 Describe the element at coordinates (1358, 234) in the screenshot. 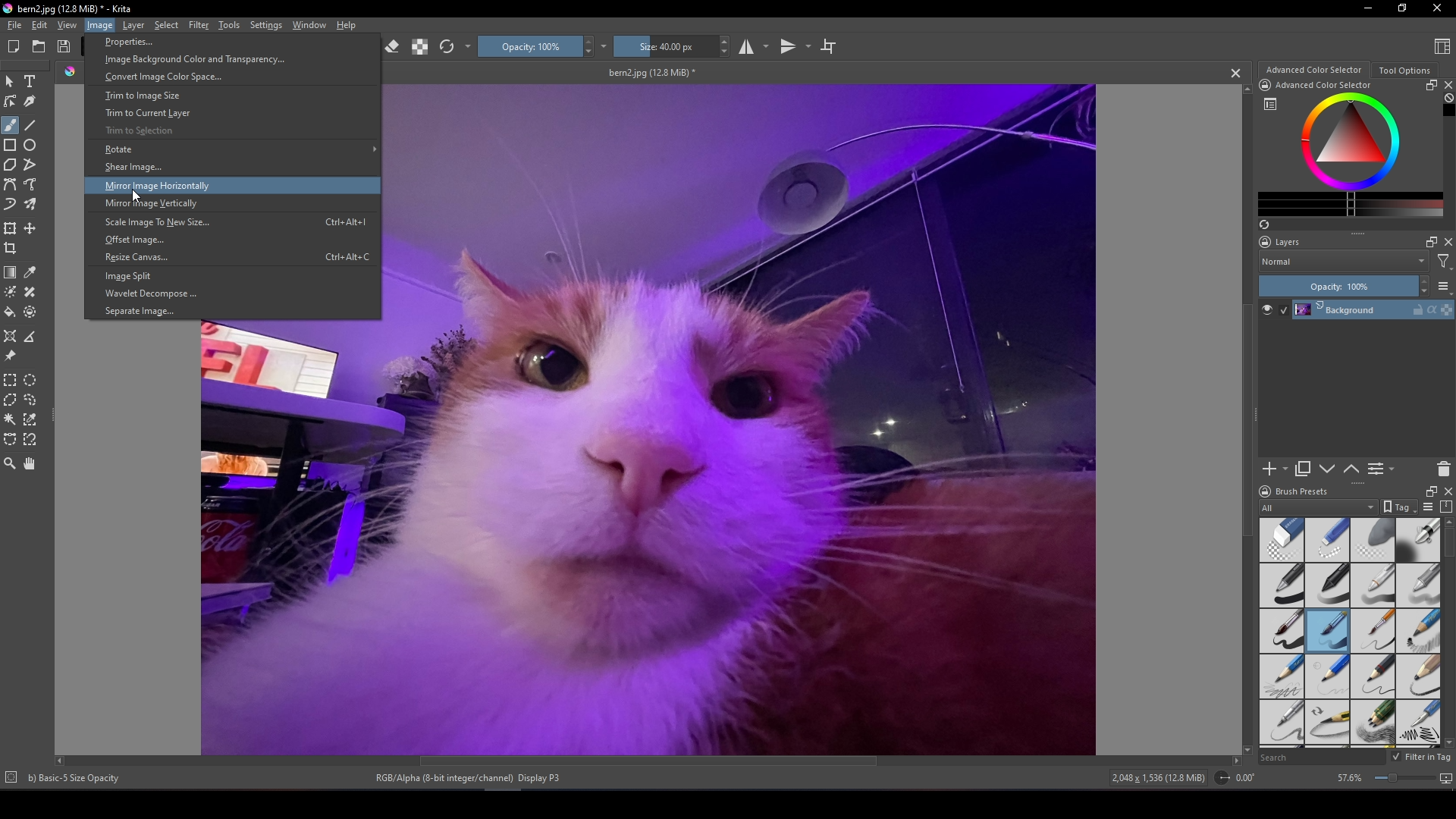

I see `Layer interface slider` at that location.